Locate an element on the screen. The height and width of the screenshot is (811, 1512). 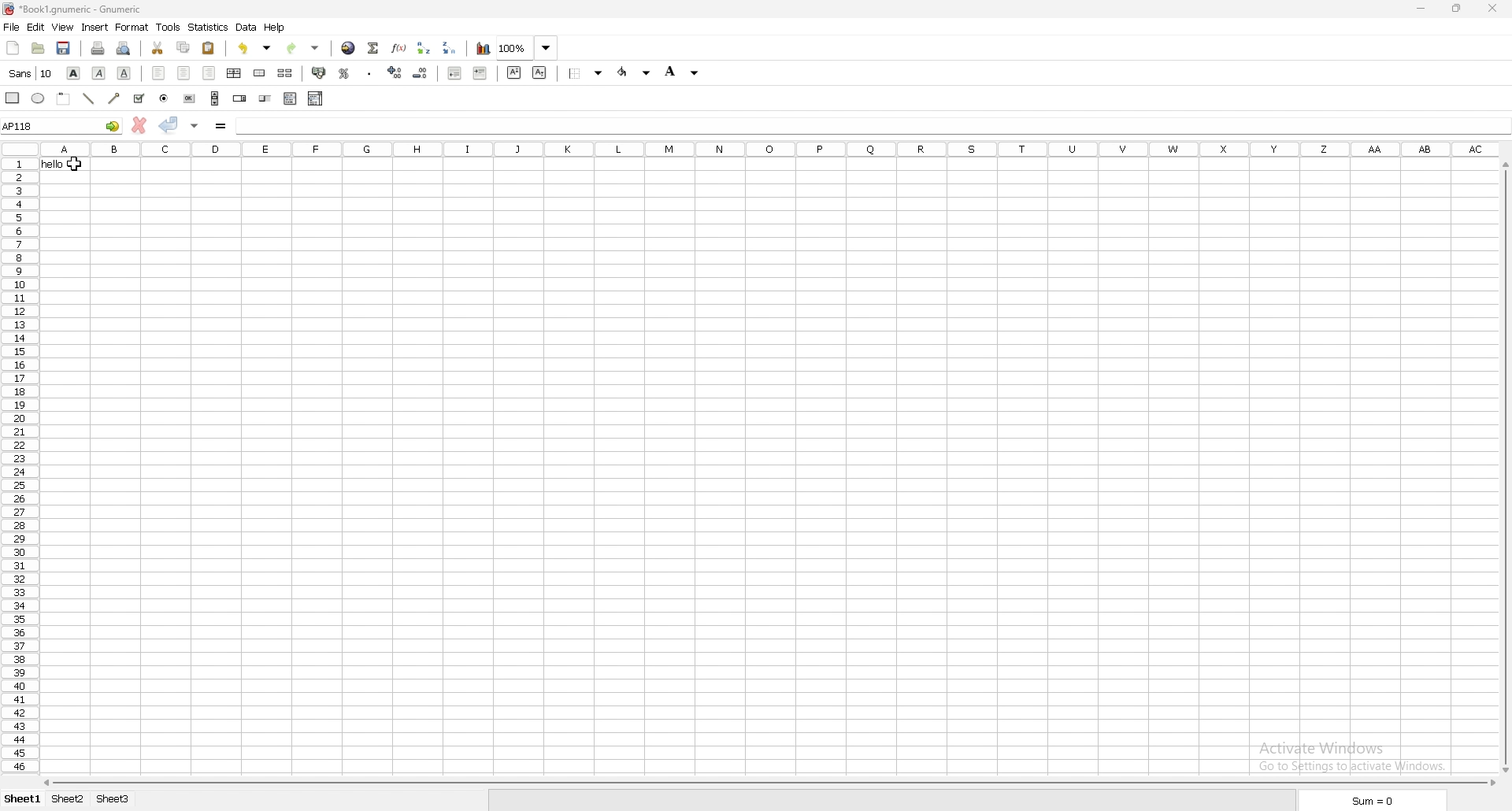
accept changes in multiple cells is located at coordinates (195, 124).